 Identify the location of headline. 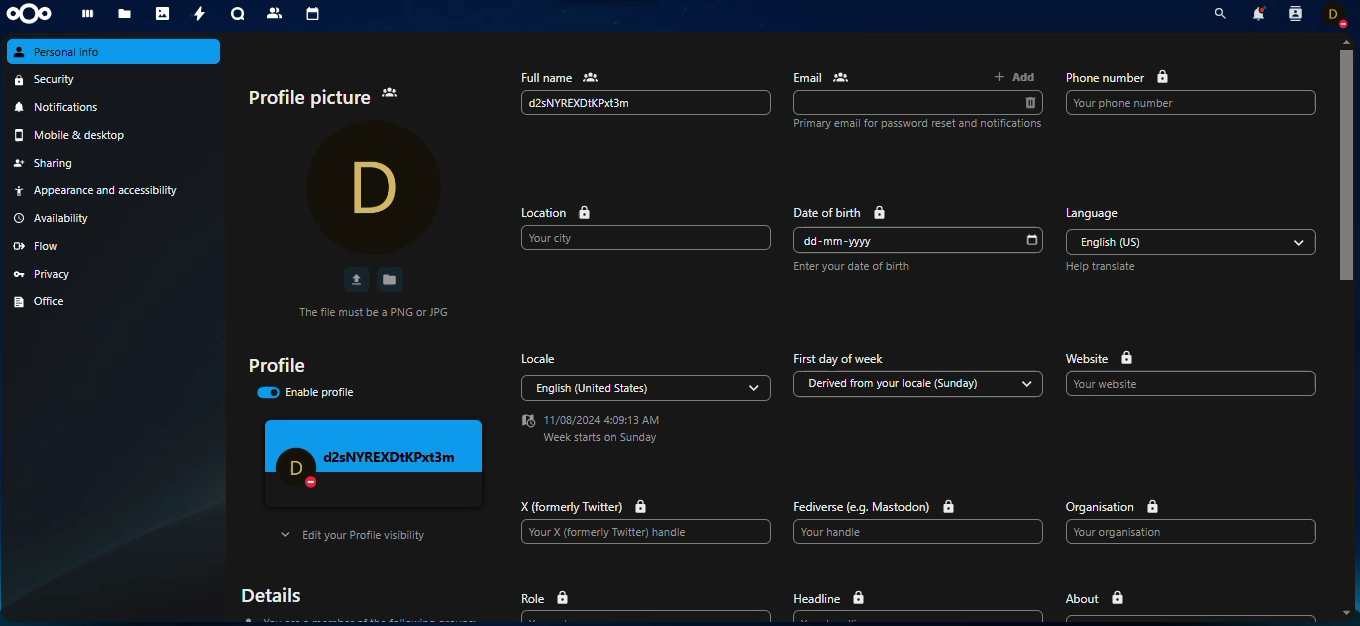
(845, 598).